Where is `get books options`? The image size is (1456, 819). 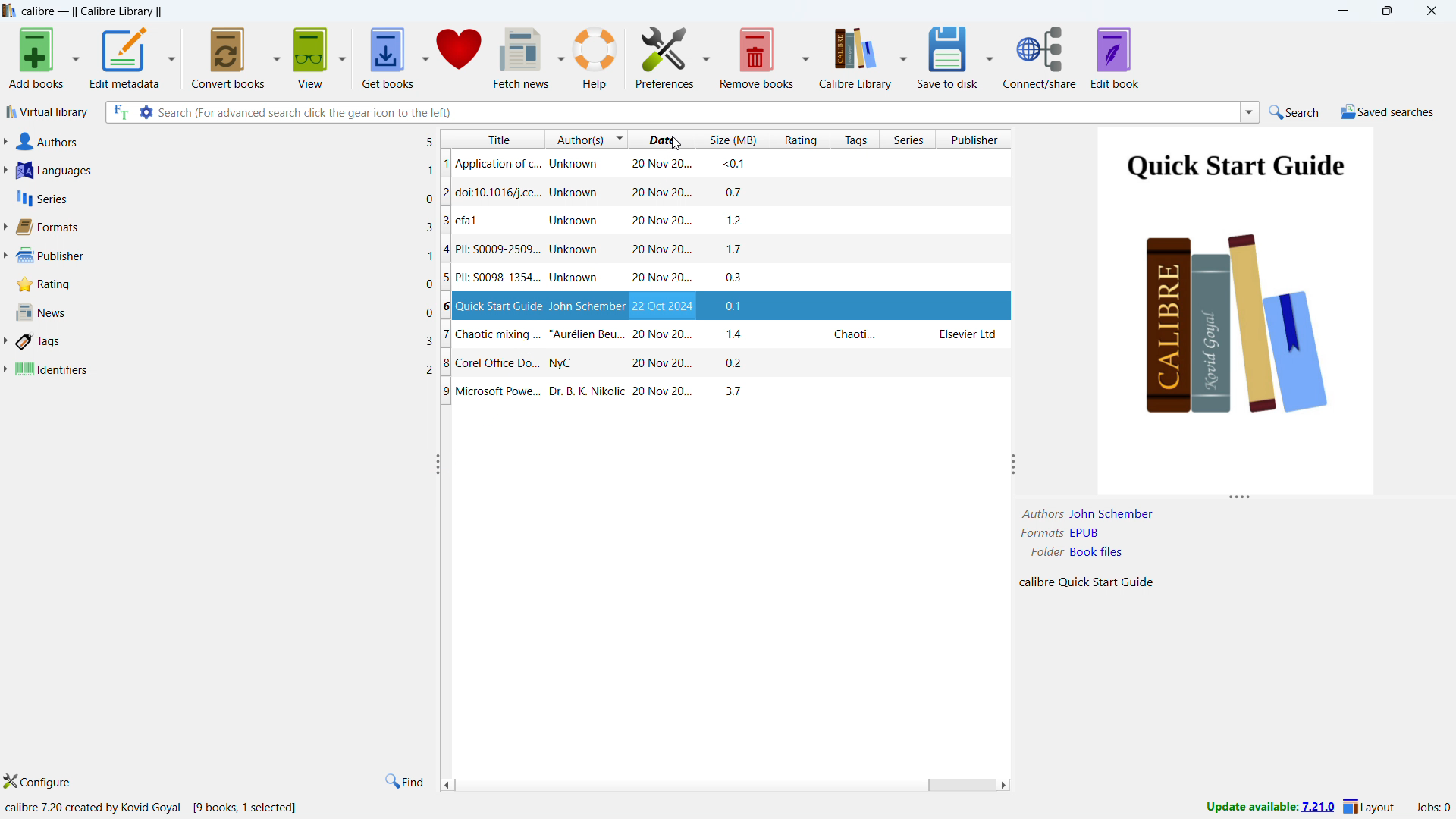
get books options is located at coordinates (425, 55).